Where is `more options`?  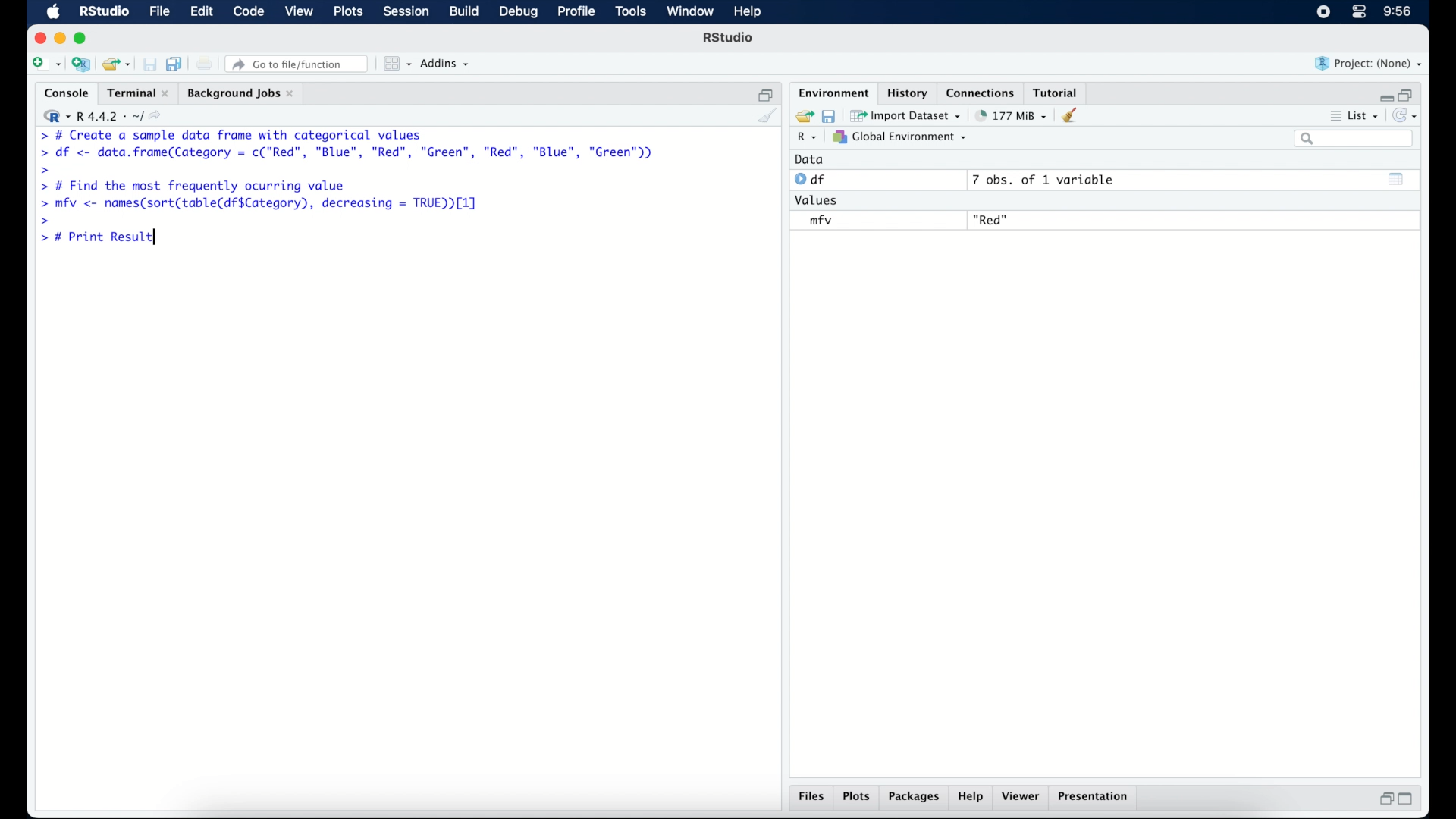
more options is located at coordinates (1333, 115).